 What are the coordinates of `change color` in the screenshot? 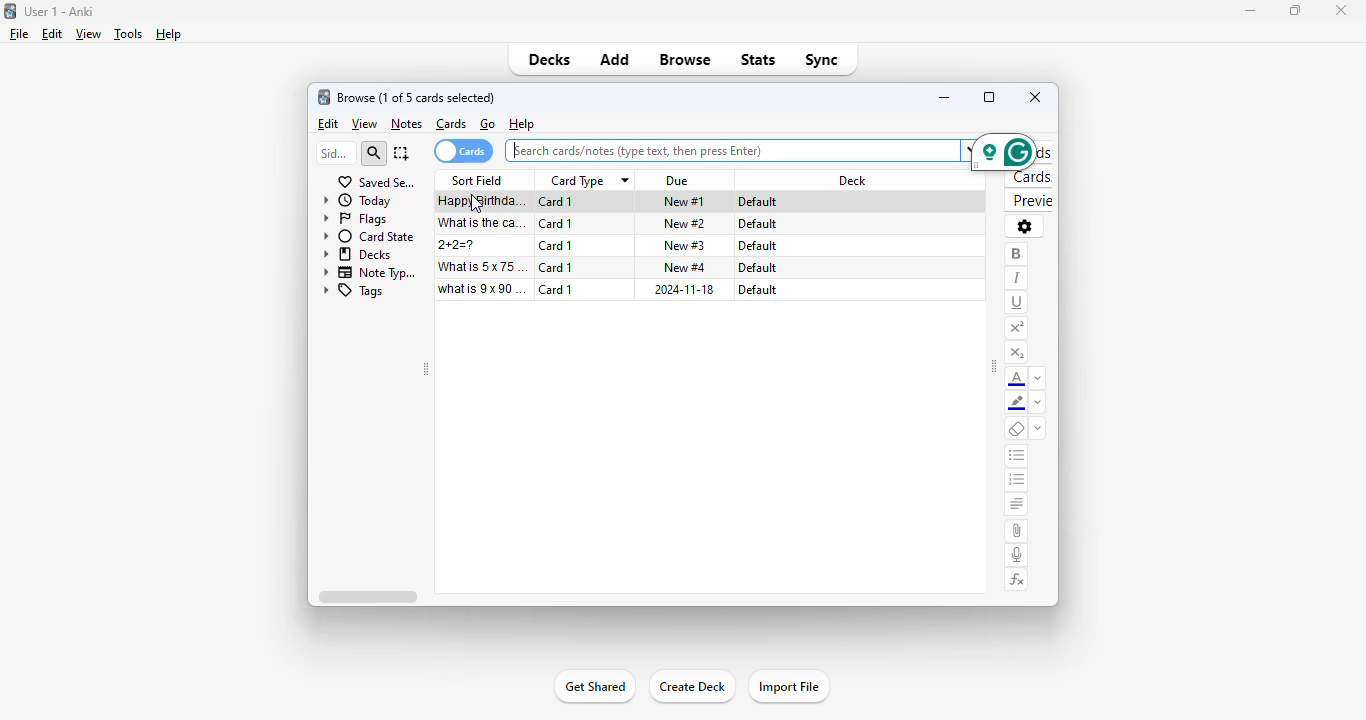 It's located at (1038, 377).